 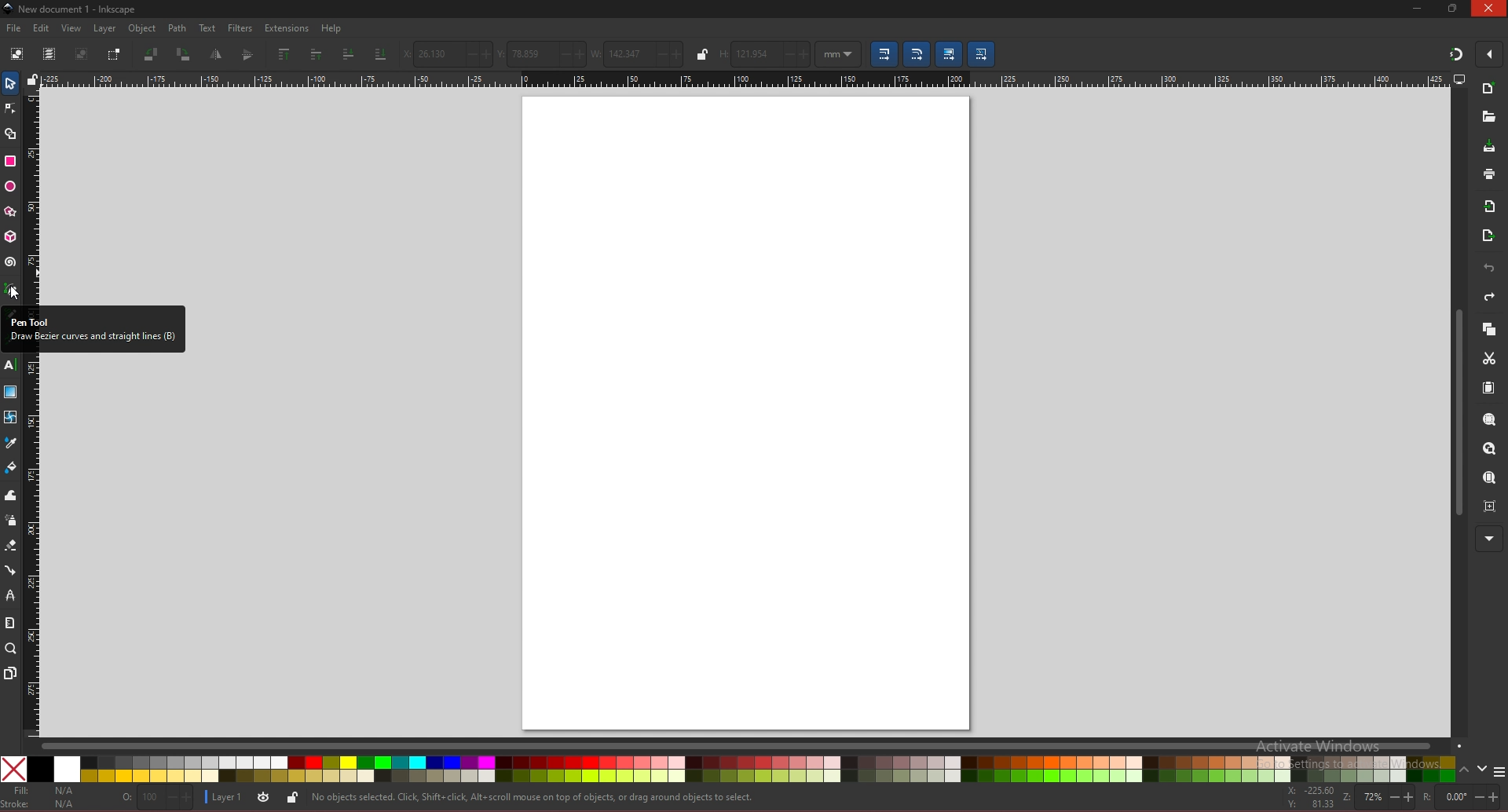 I want to click on gradient, so click(x=11, y=392).